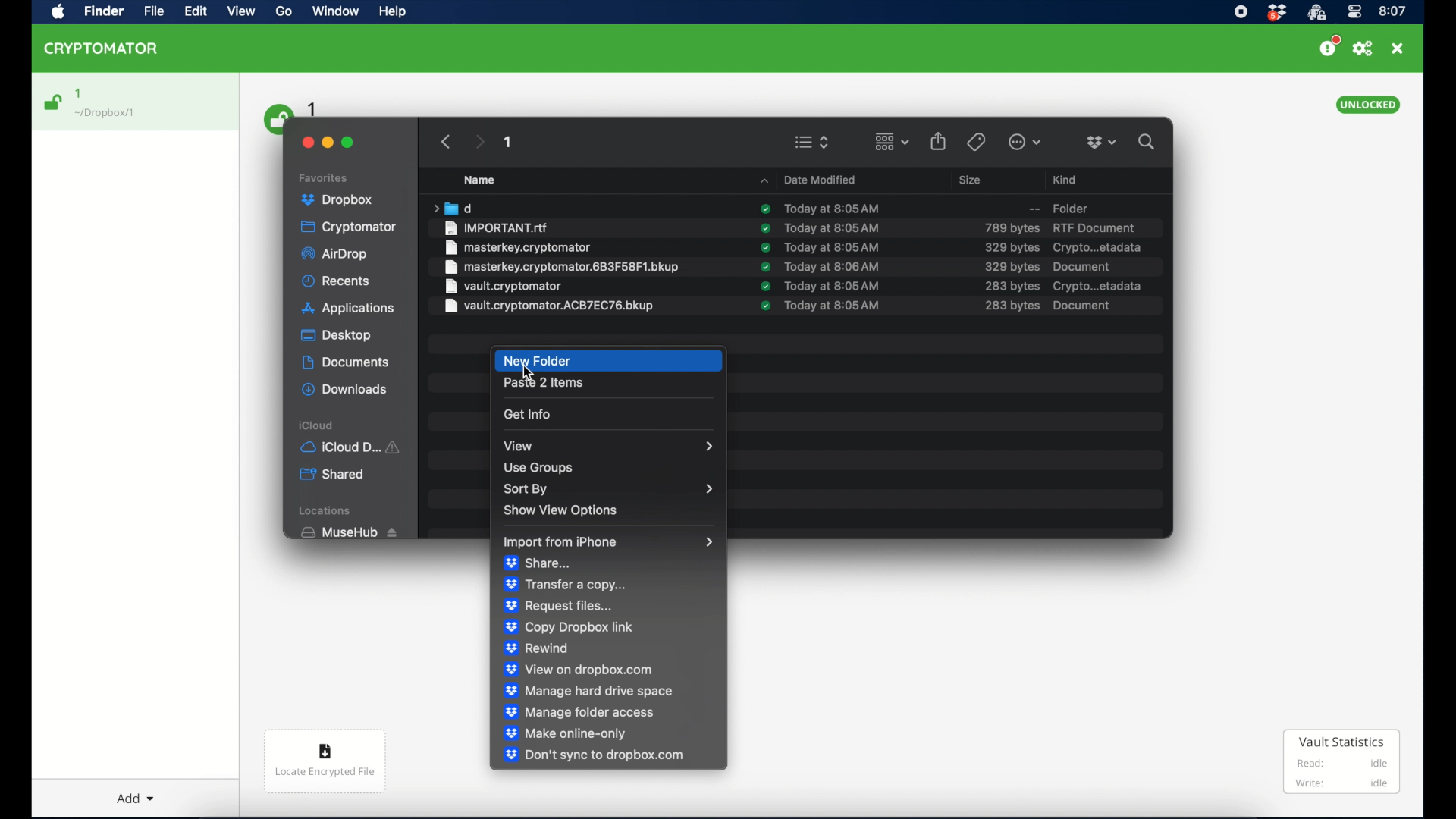  What do you see at coordinates (939, 140) in the screenshot?
I see `share` at bounding box center [939, 140].